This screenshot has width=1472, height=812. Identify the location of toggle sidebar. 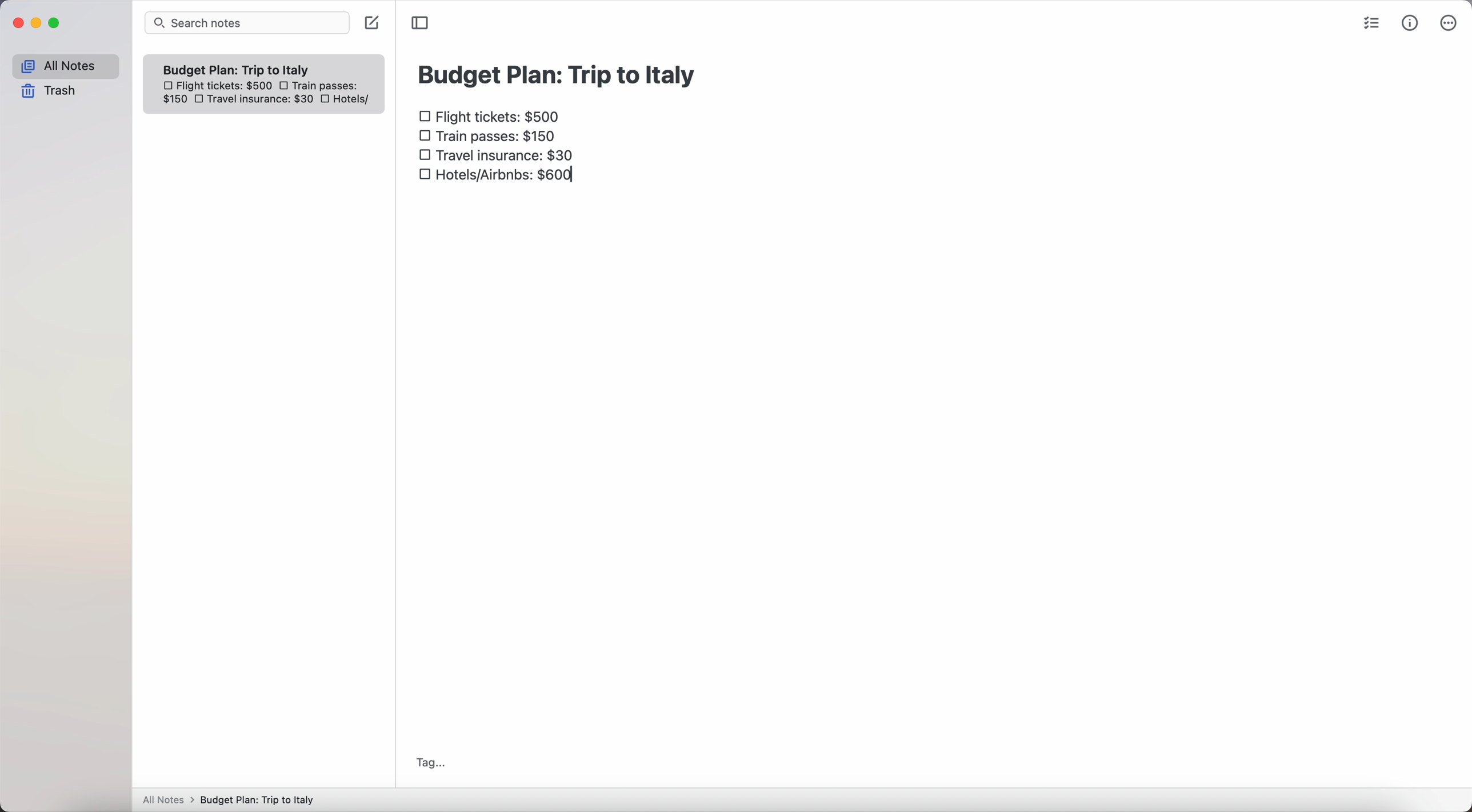
(421, 22).